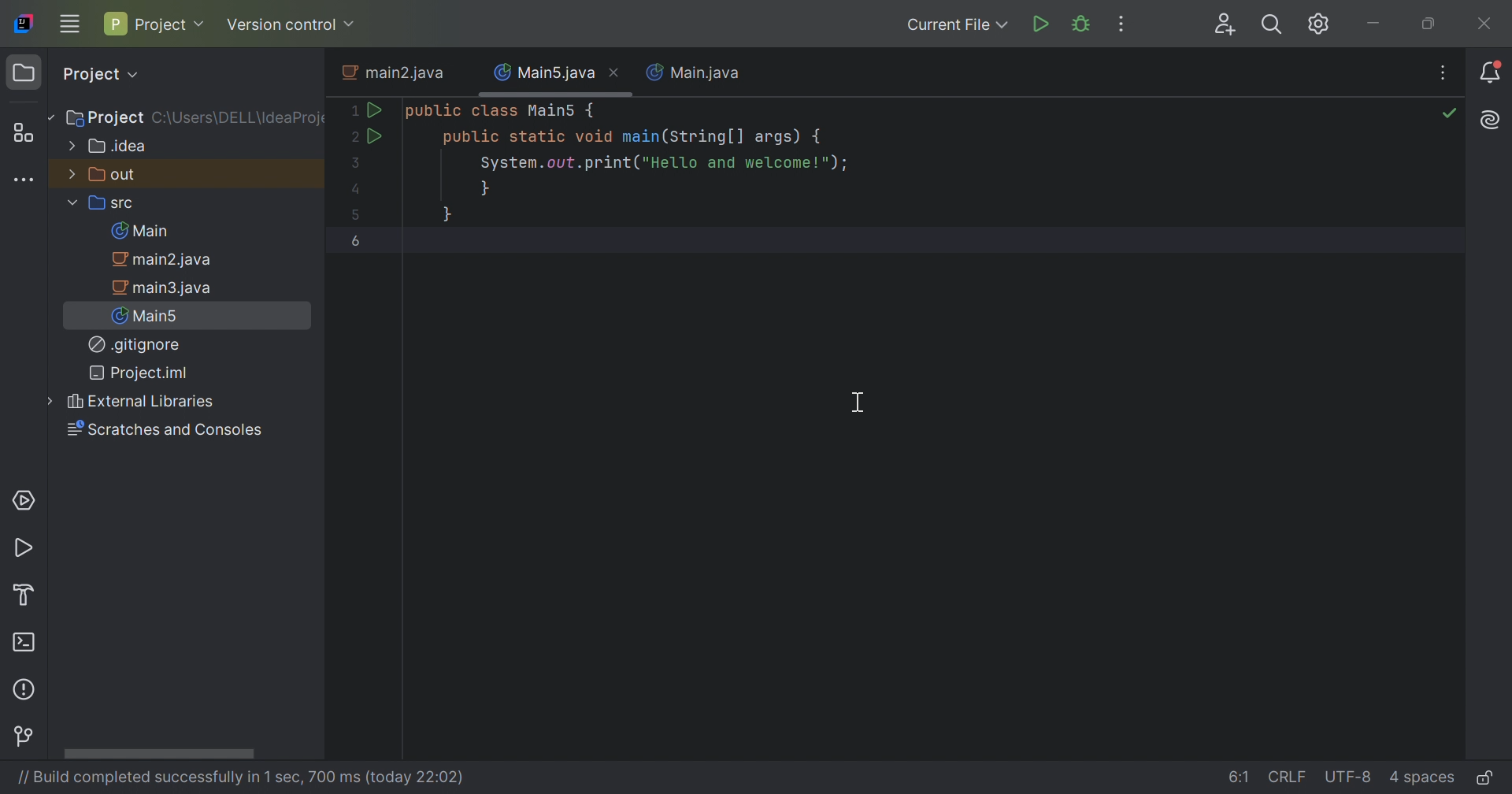  I want to click on Main, so click(145, 231).